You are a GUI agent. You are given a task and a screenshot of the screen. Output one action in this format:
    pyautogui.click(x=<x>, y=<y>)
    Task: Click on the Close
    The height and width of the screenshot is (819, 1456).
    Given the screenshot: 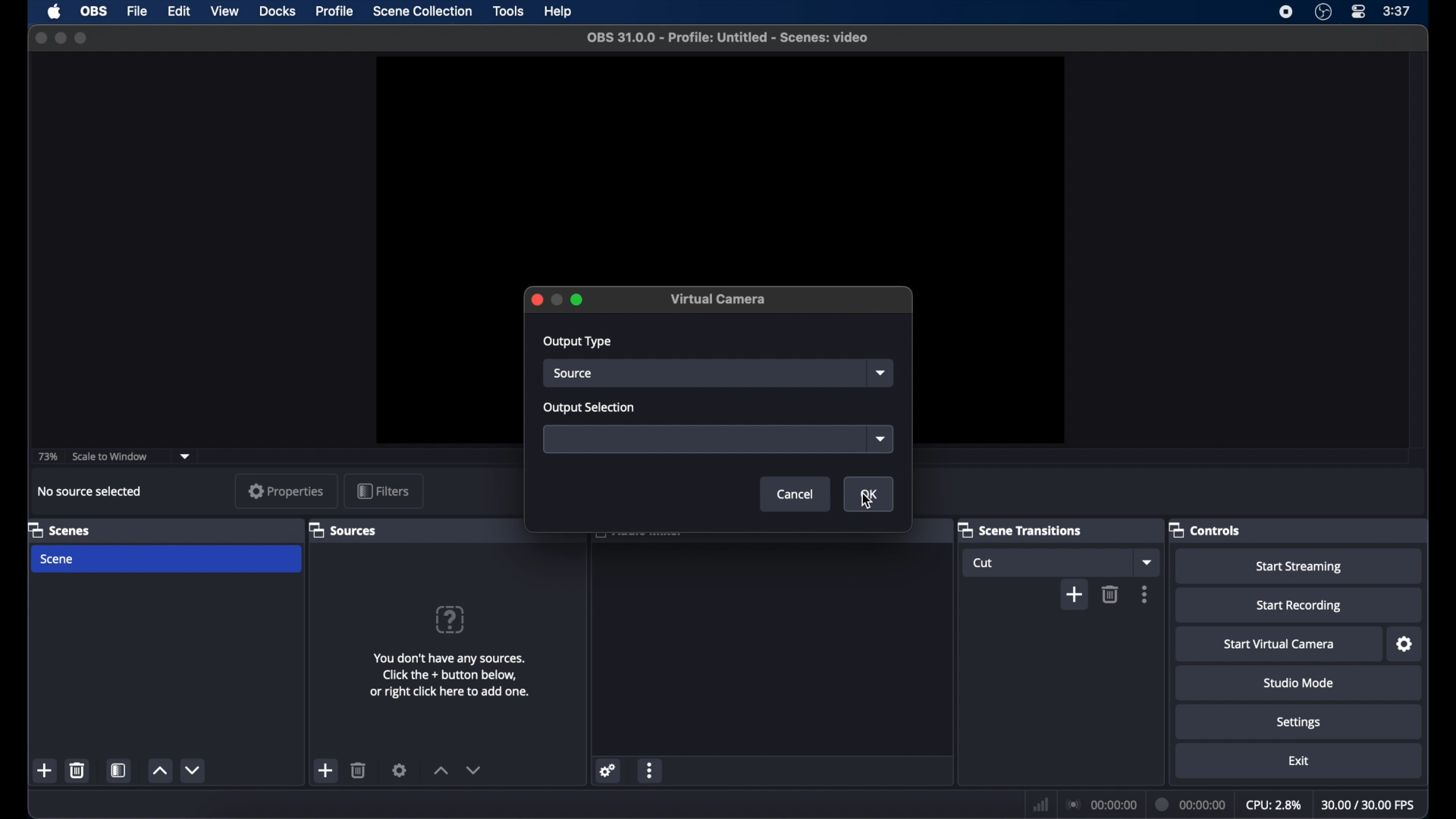 What is the action you would take?
    pyautogui.click(x=535, y=300)
    